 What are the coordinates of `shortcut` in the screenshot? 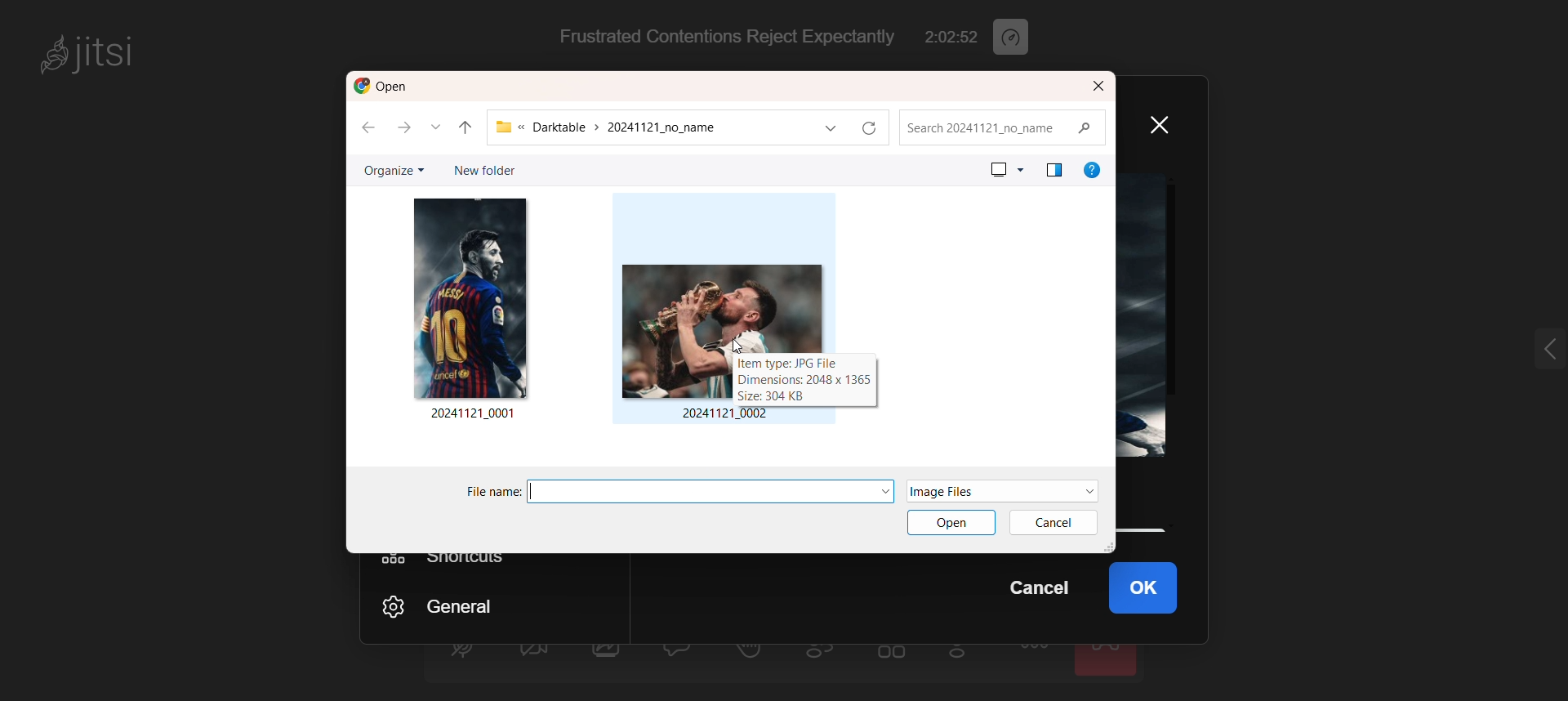 It's located at (448, 560).